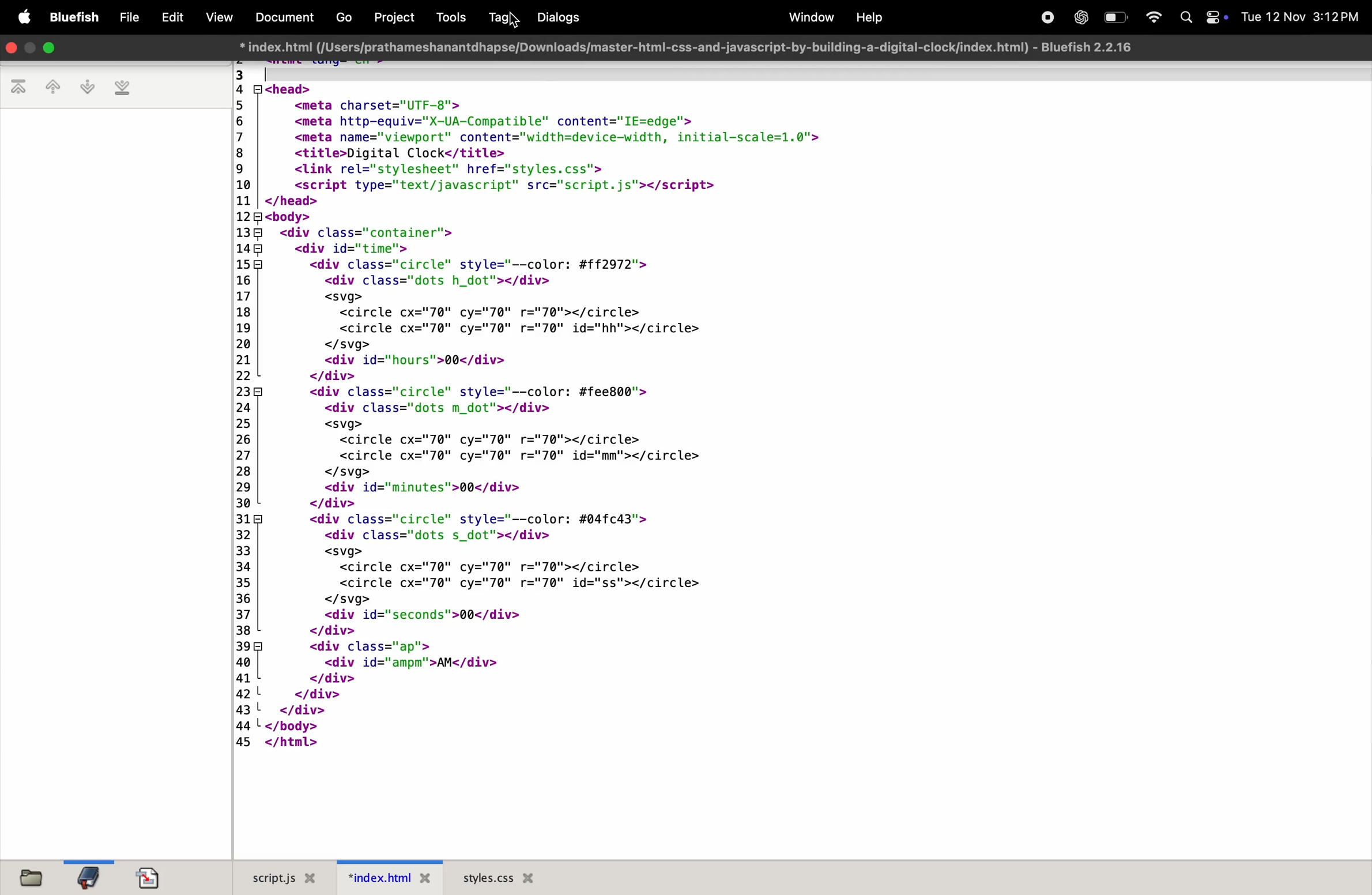 This screenshot has width=1372, height=895. What do you see at coordinates (557, 17) in the screenshot?
I see `dialogs` at bounding box center [557, 17].